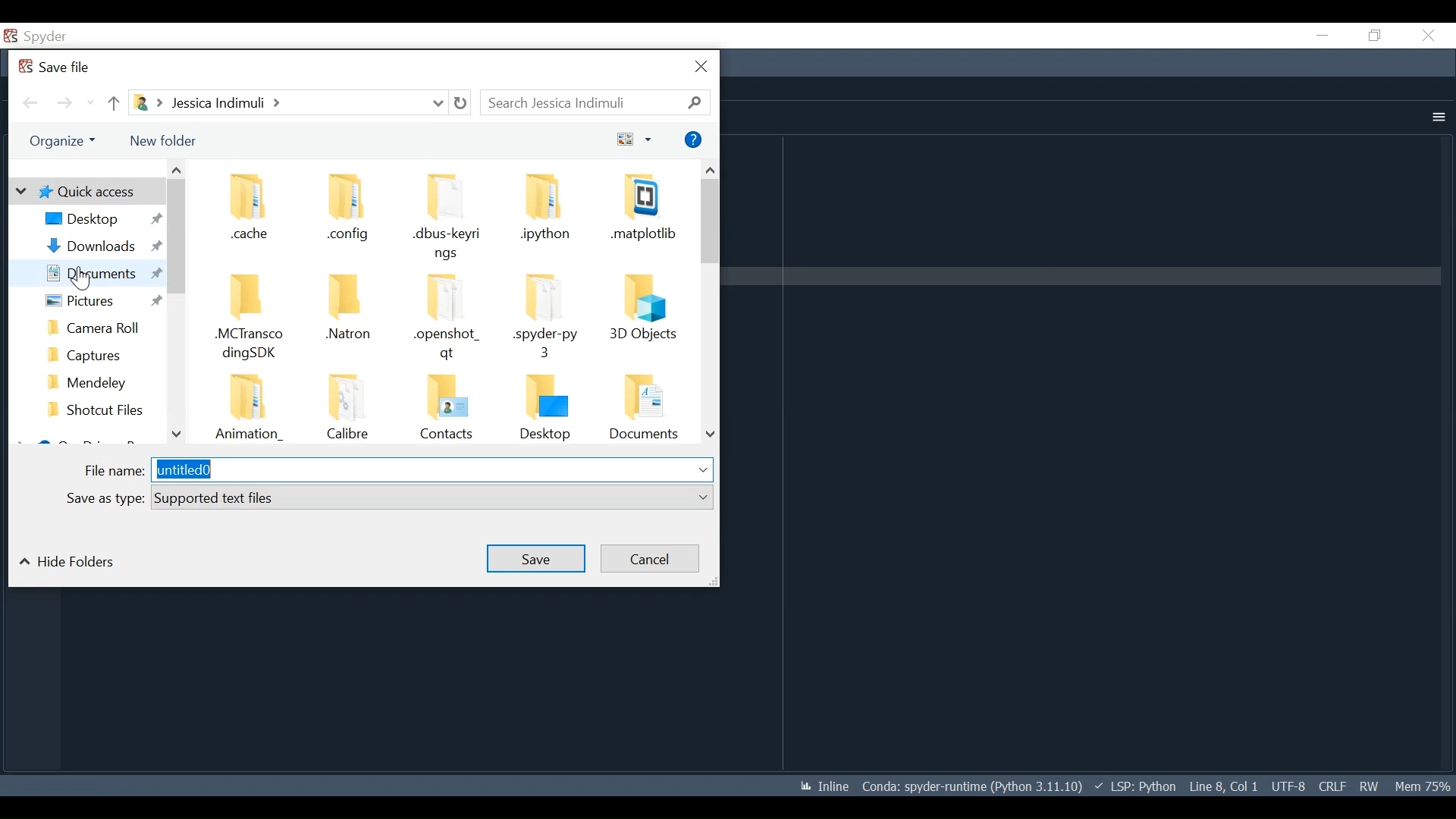  Describe the element at coordinates (97, 272) in the screenshot. I see `Documents` at that location.